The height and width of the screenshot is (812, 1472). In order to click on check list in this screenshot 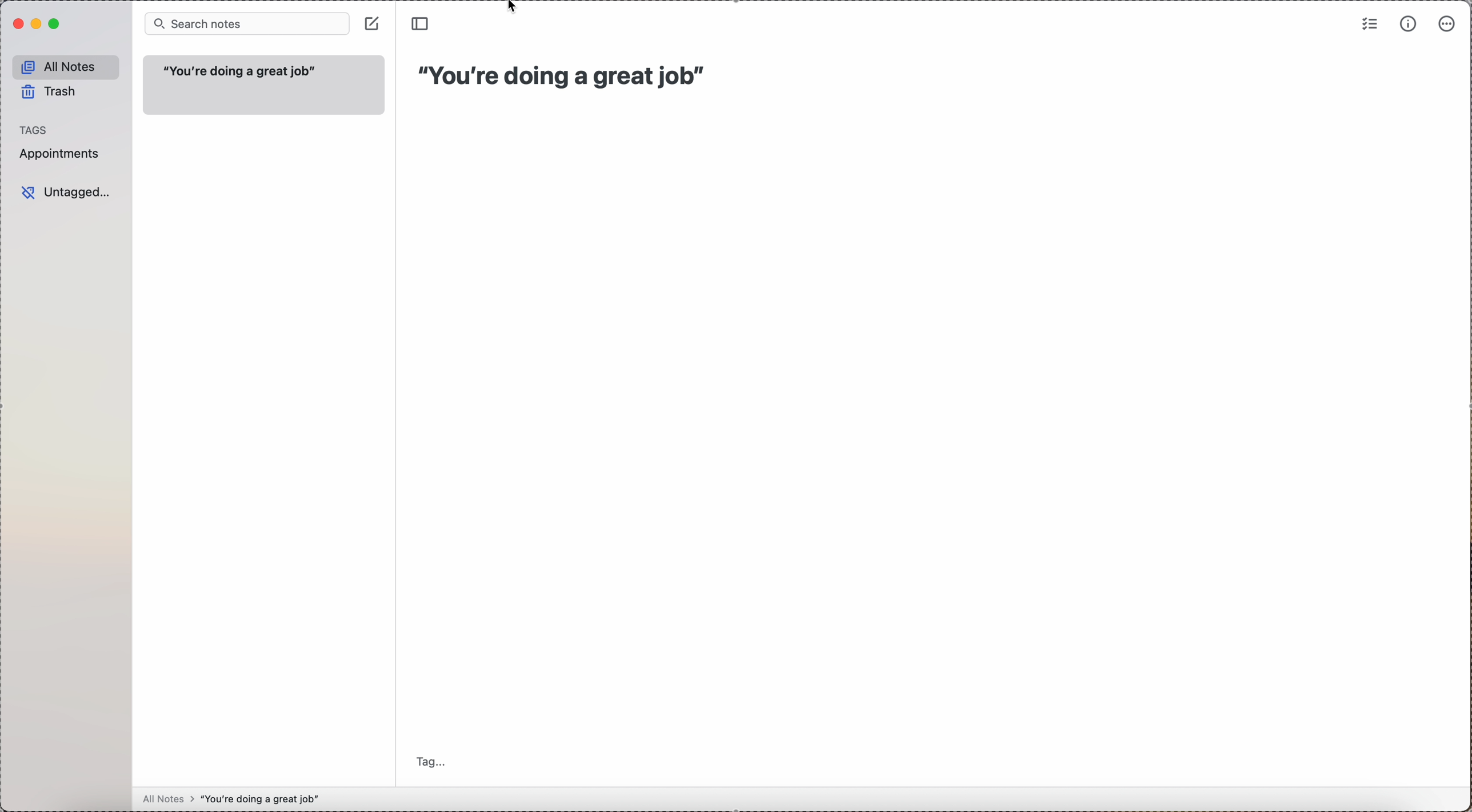, I will do `click(1369, 24)`.